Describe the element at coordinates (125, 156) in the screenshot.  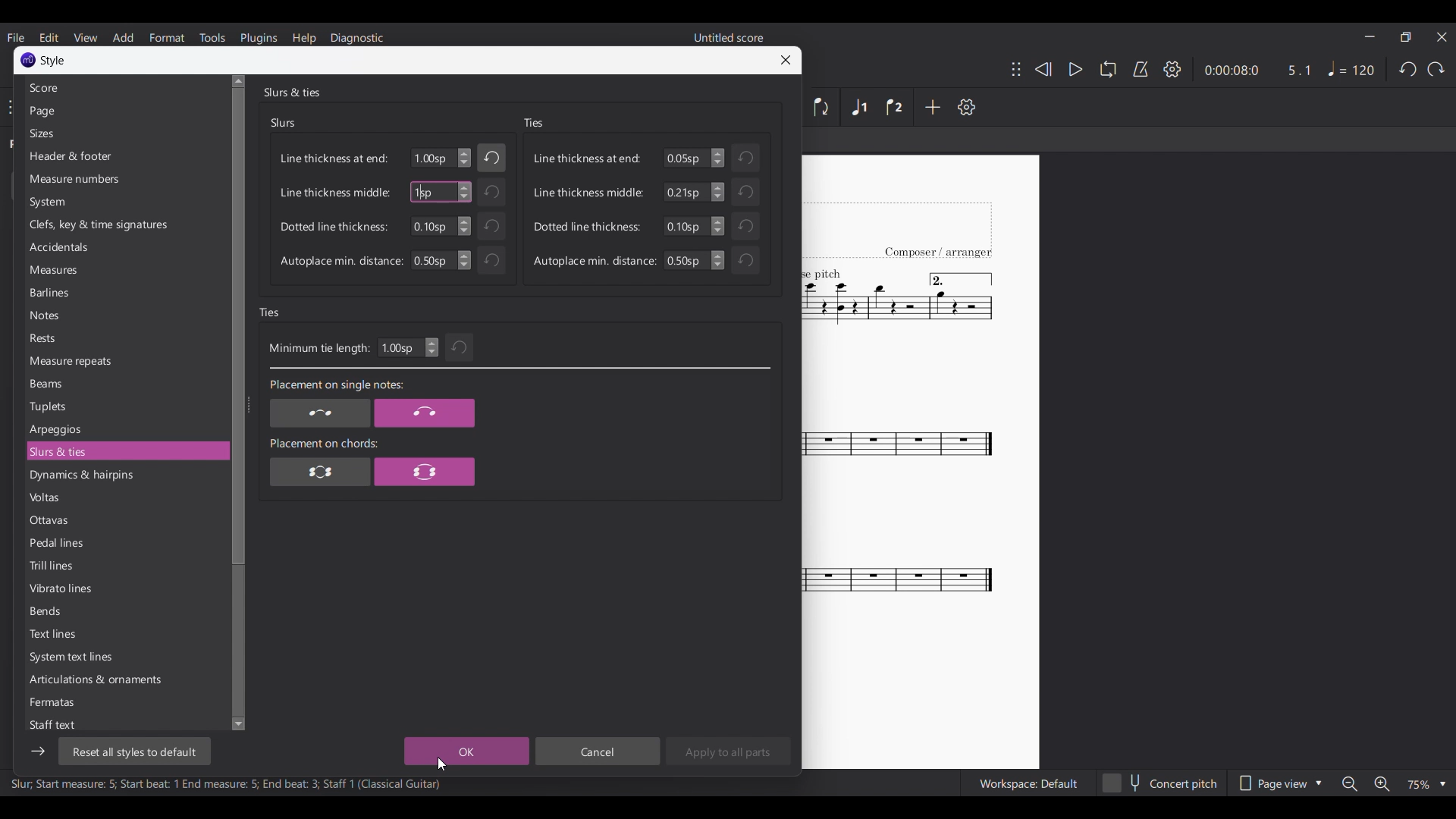
I see `Header & footer` at that location.